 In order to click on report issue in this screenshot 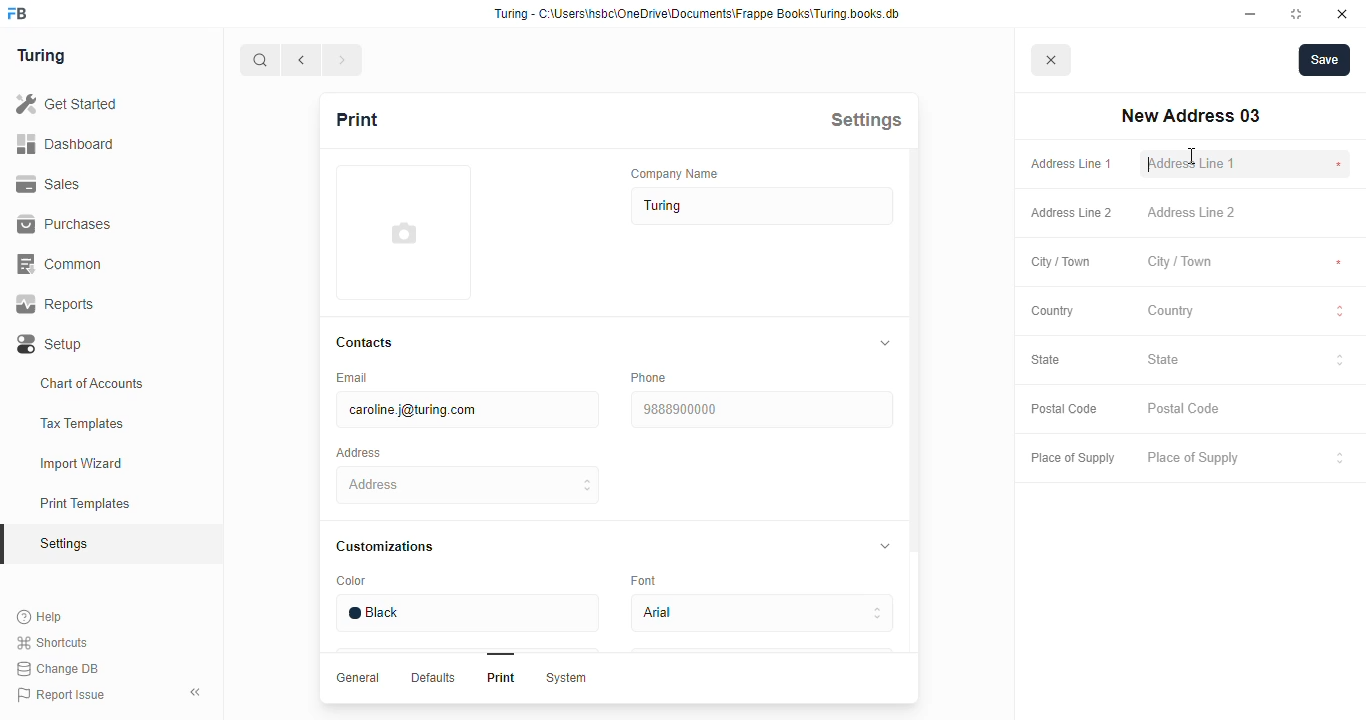, I will do `click(61, 695)`.